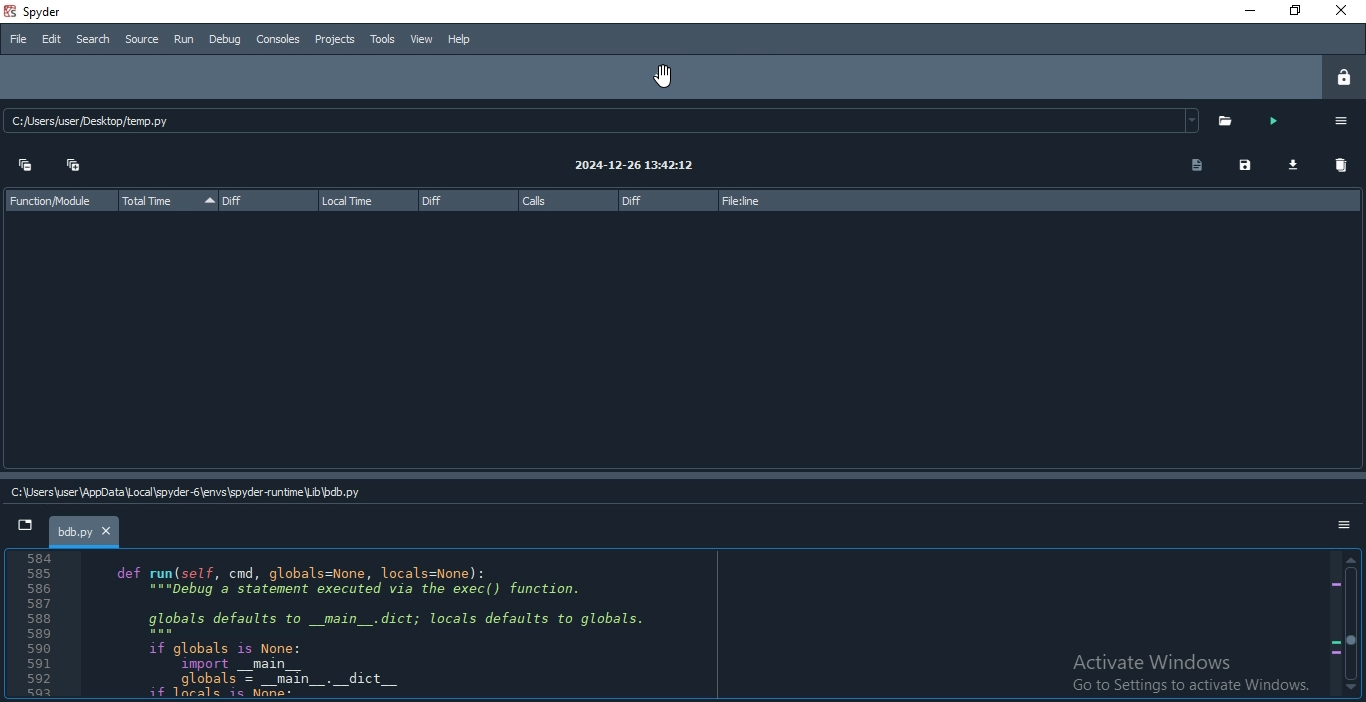  Describe the element at coordinates (270, 201) in the screenshot. I see `Diff` at that location.